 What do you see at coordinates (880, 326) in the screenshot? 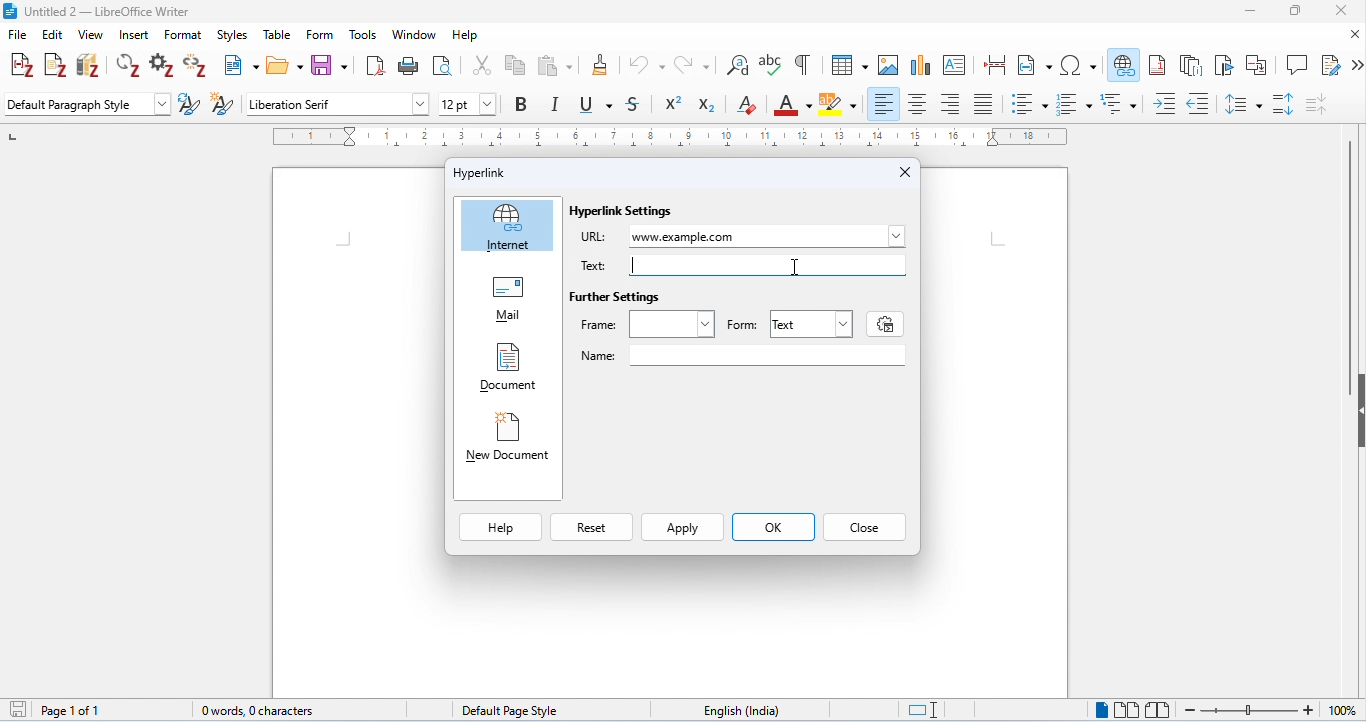
I see `settings` at bounding box center [880, 326].